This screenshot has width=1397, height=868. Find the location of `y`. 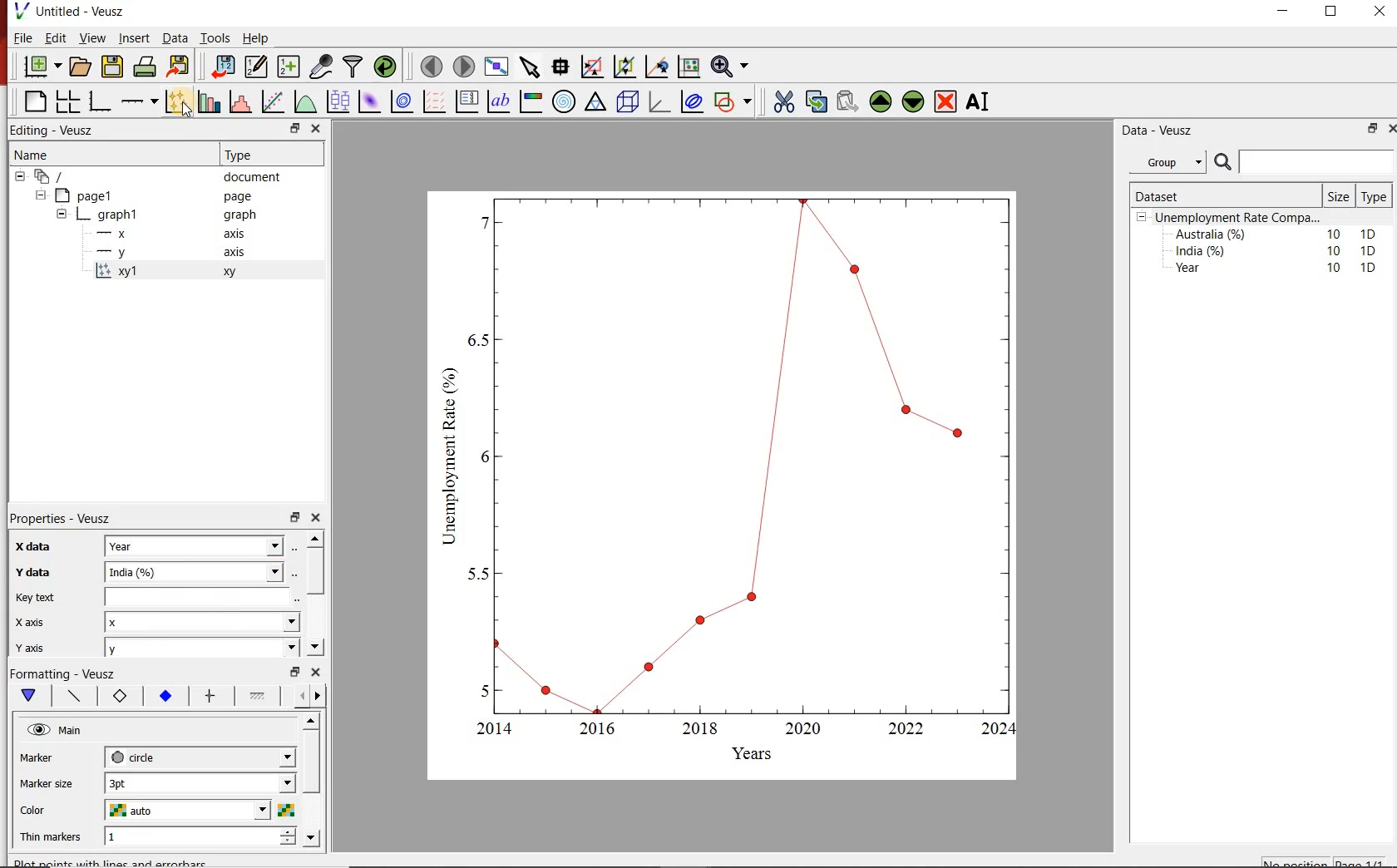

y is located at coordinates (198, 649).